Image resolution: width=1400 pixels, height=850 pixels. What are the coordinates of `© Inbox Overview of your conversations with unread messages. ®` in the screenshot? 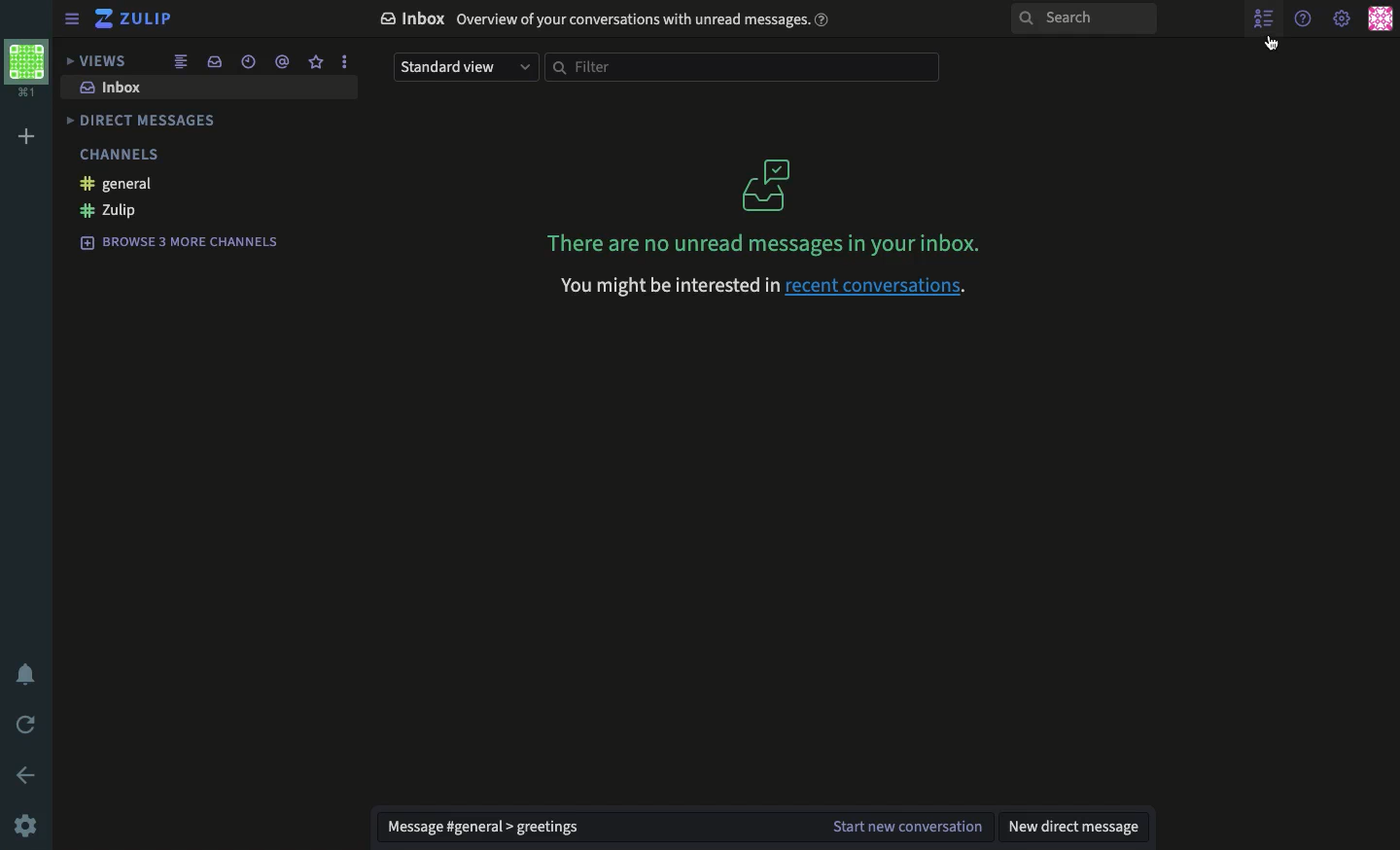 It's located at (607, 20).